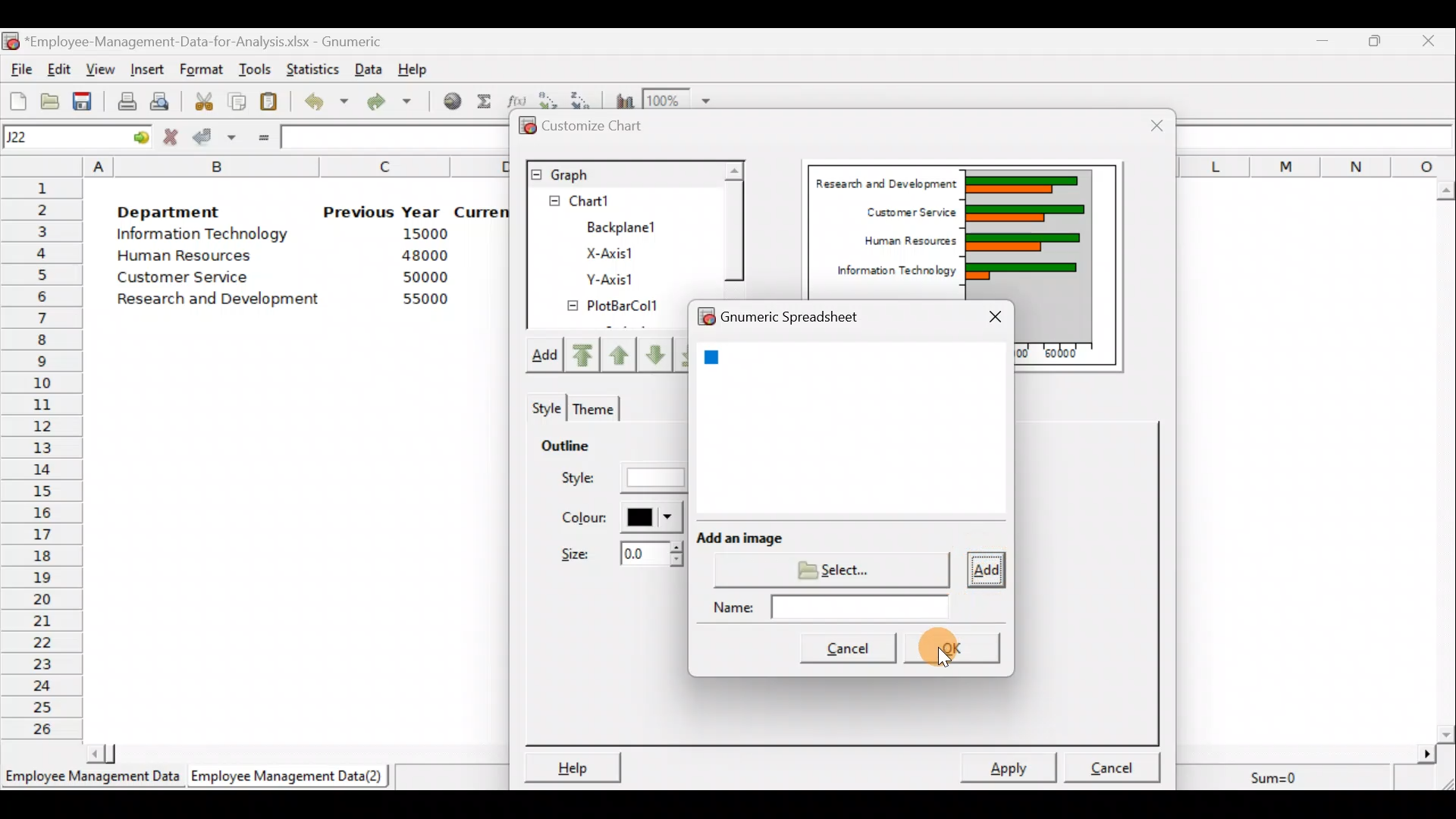 This screenshot has height=819, width=1456. I want to click on Zoom, so click(679, 99).